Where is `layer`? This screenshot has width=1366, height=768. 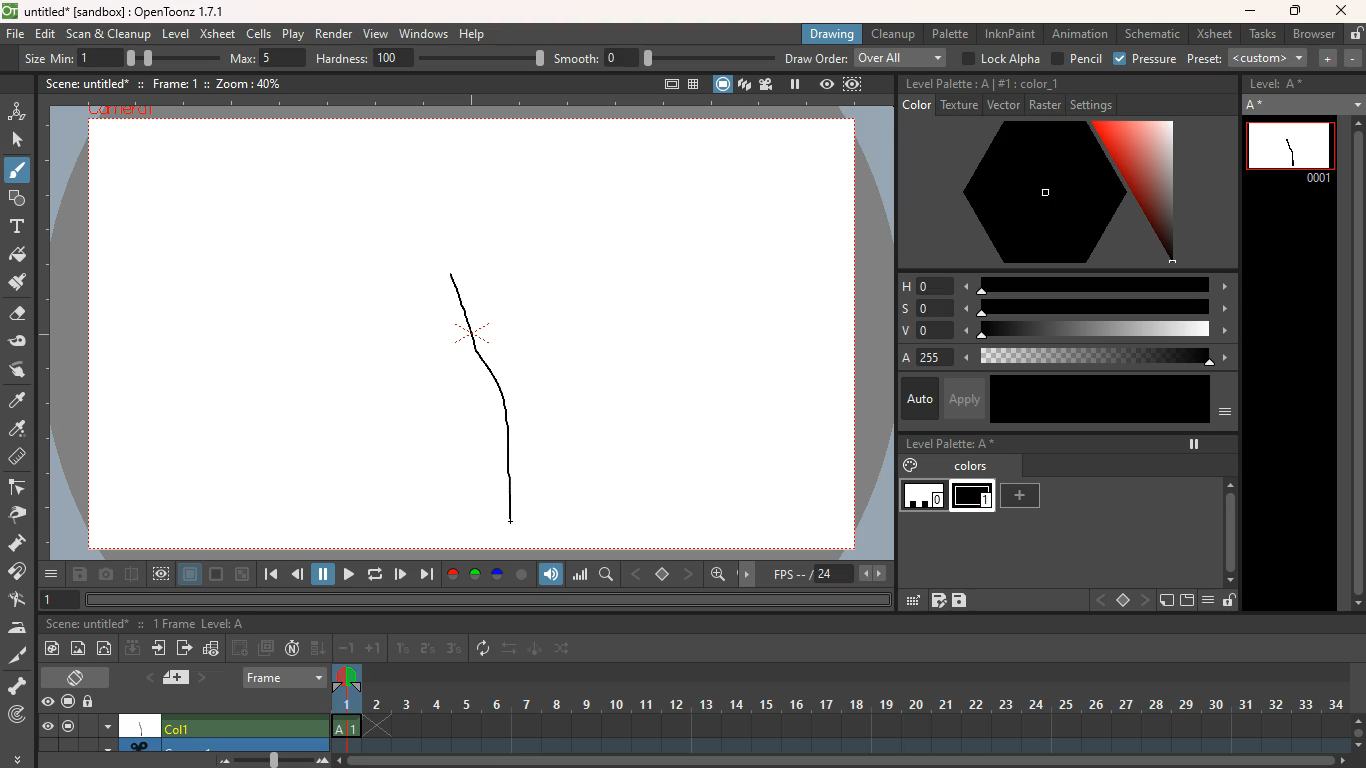 layer is located at coordinates (172, 678).